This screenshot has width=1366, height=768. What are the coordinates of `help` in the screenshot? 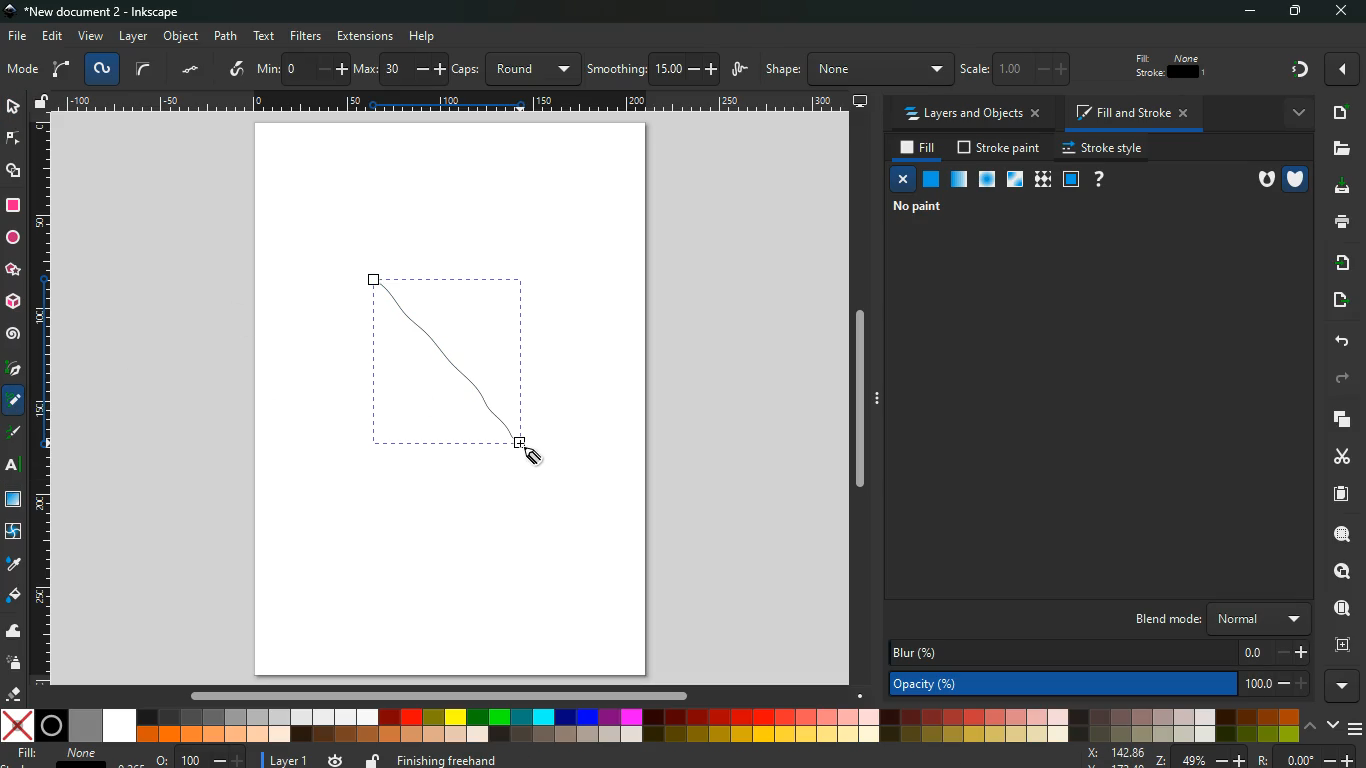 It's located at (1103, 180).